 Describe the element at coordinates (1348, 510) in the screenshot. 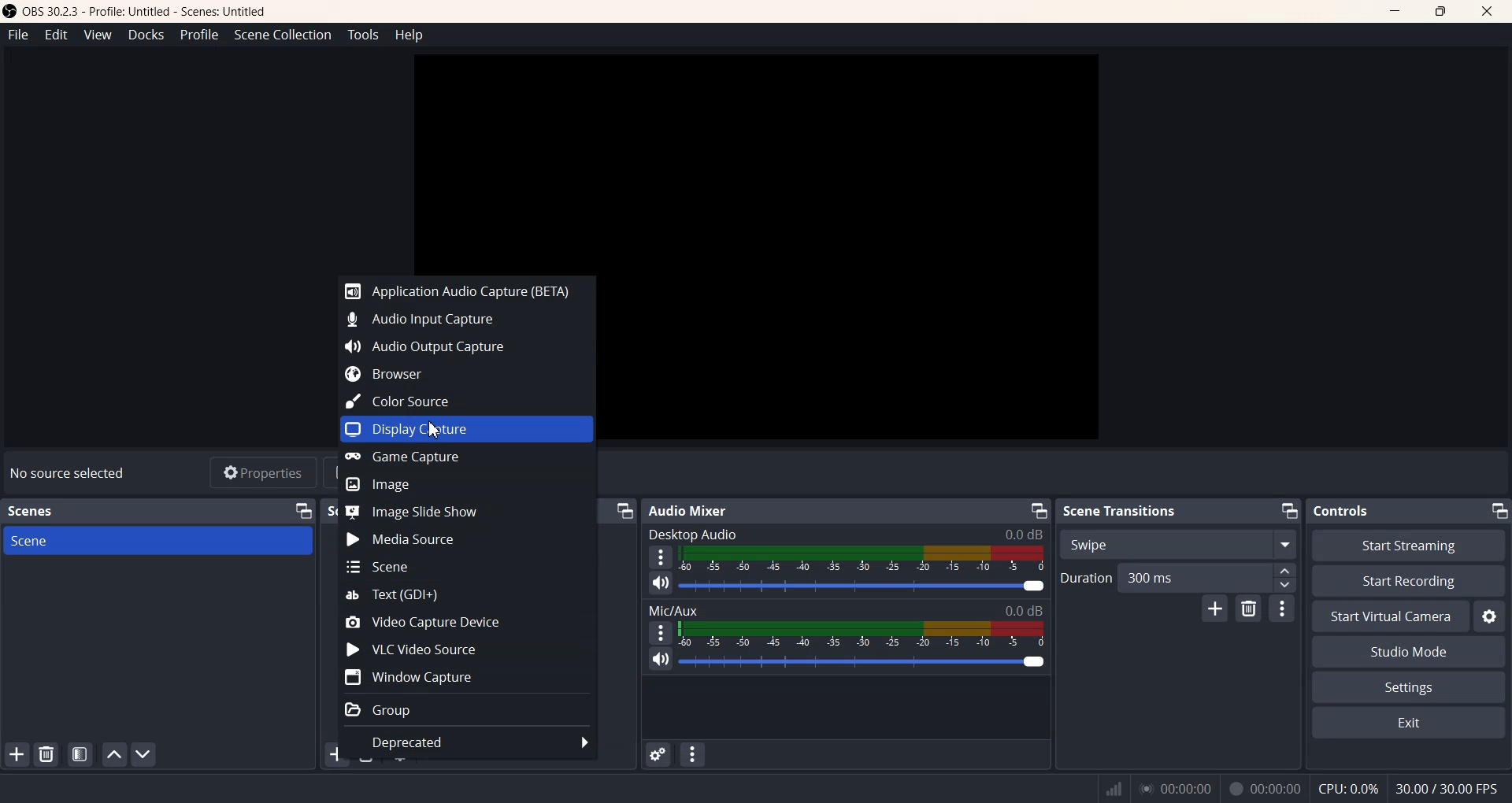

I see `Controls` at that location.